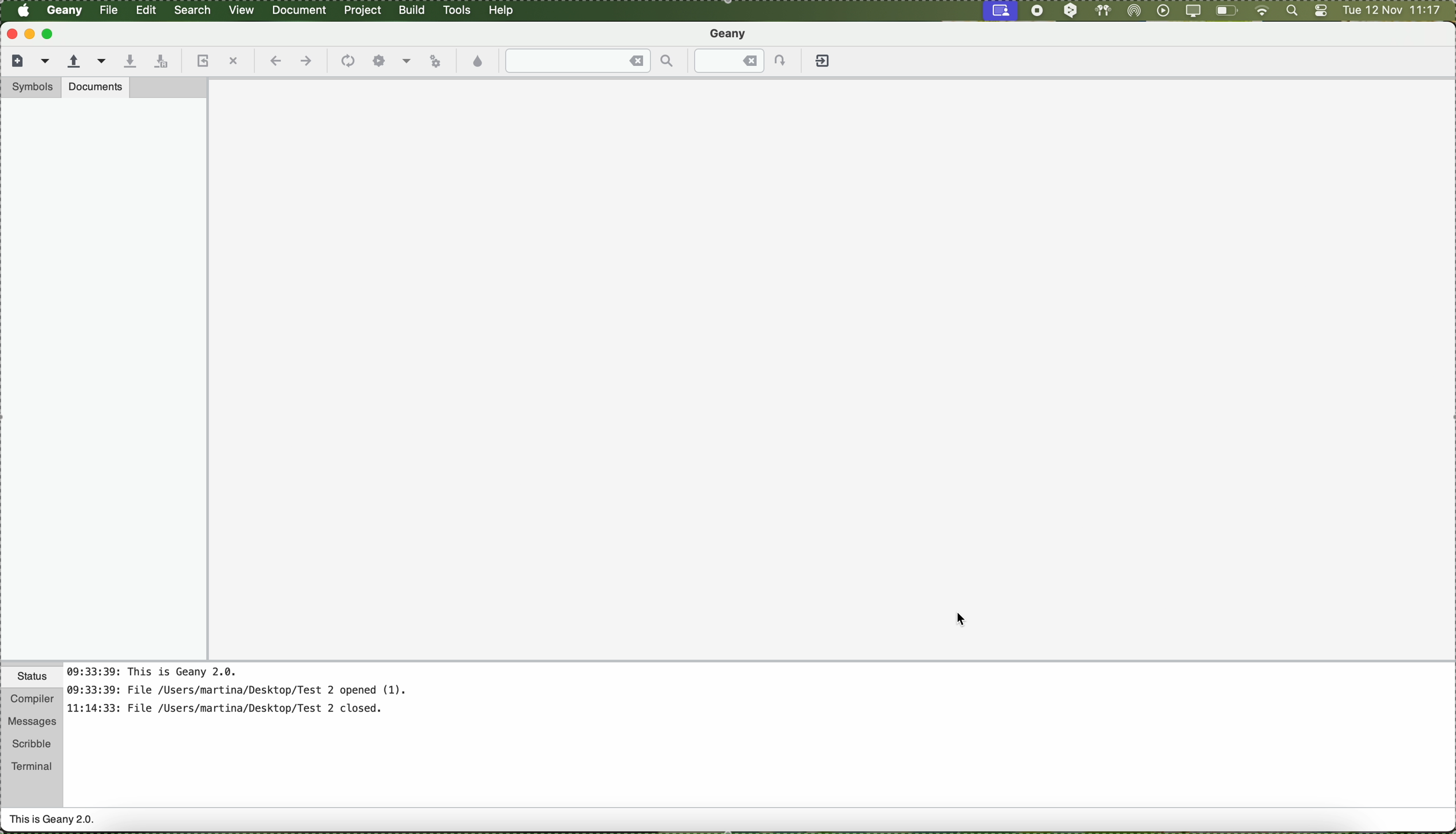 The height and width of the screenshot is (834, 1456). Describe the element at coordinates (824, 63) in the screenshot. I see `quit Geany` at that location.